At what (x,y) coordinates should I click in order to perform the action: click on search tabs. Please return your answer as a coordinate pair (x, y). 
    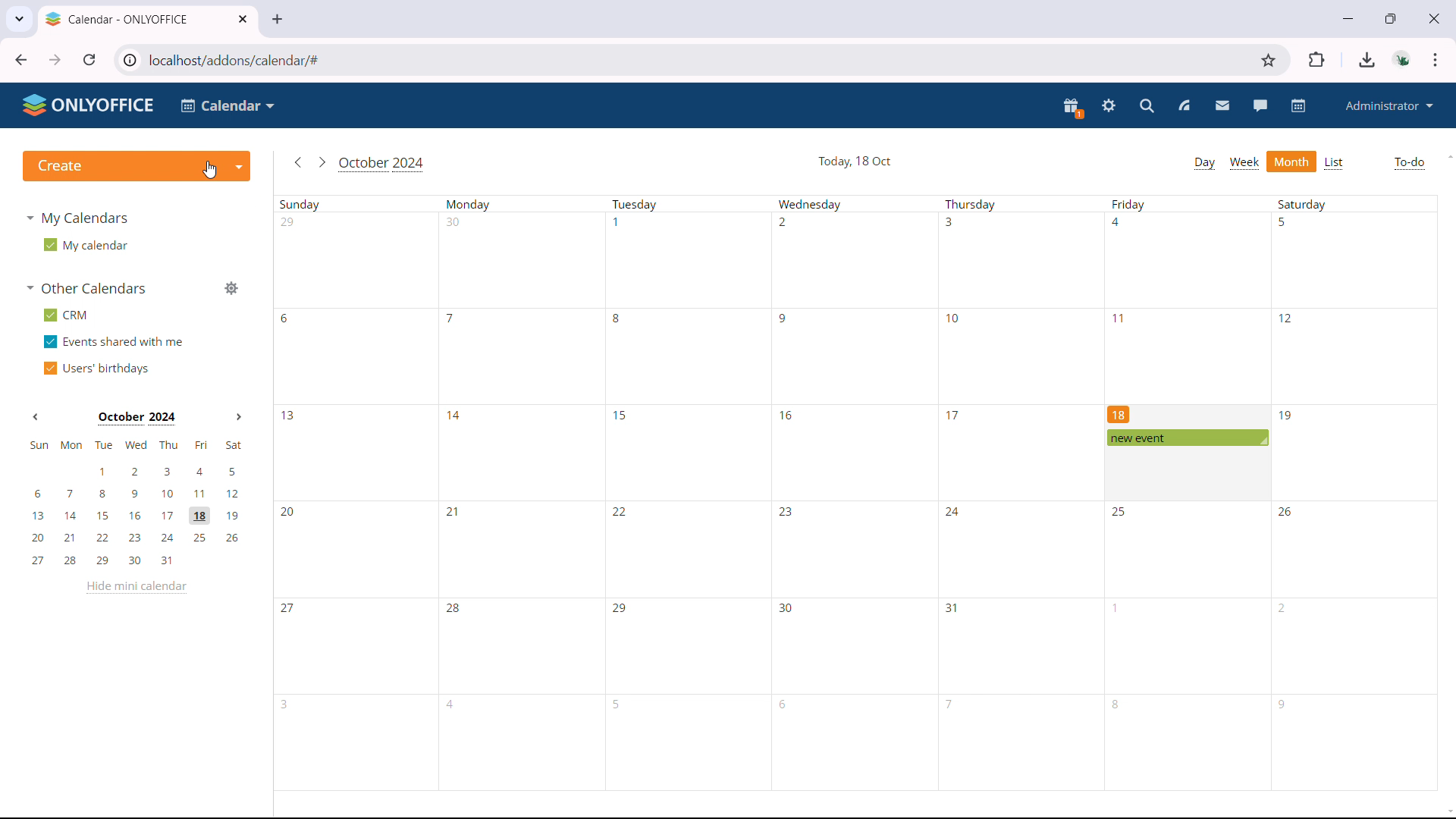
    Looking at the image, I should click on (19, 17).